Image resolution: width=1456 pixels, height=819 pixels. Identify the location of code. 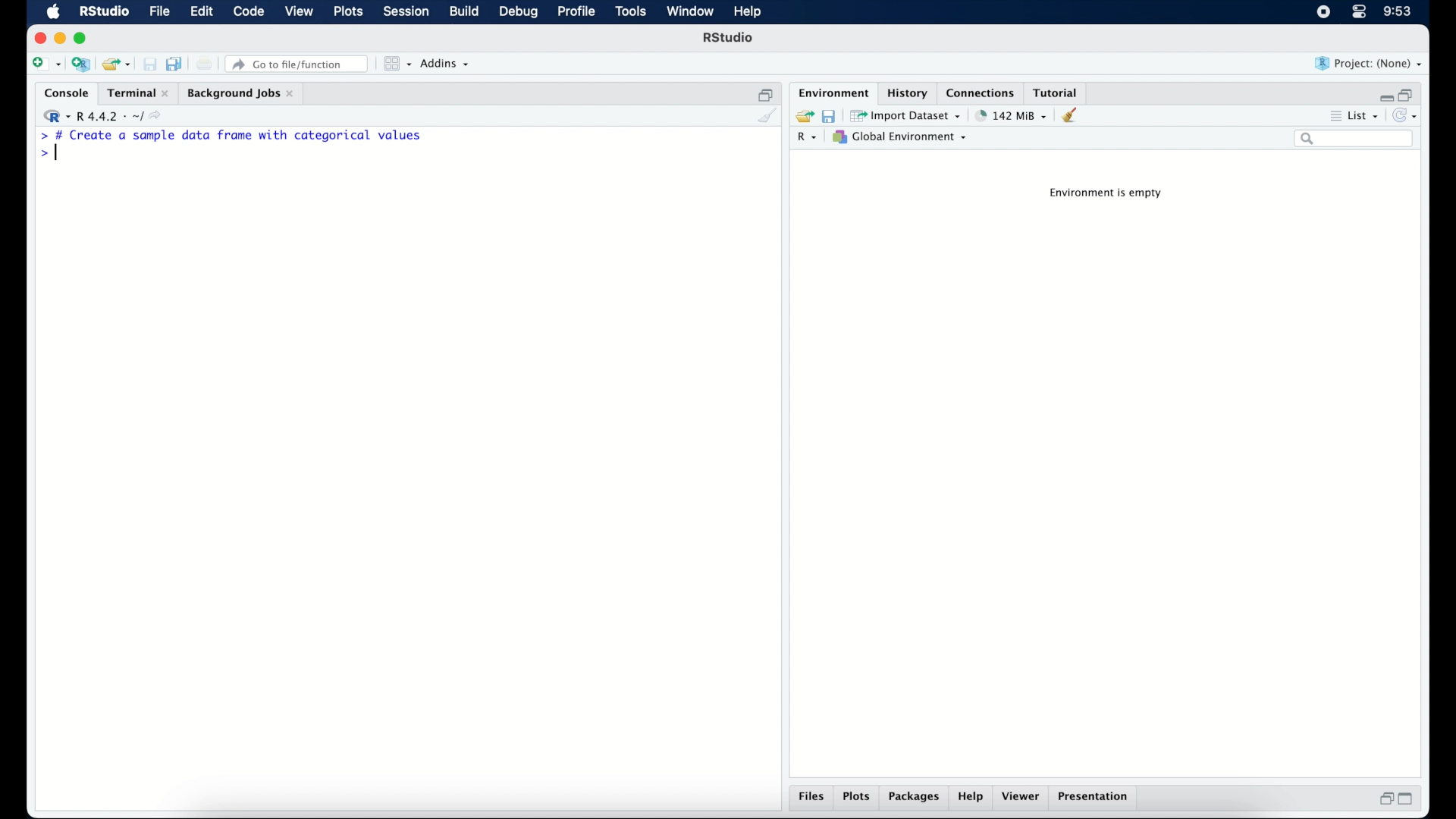
(249, 12).